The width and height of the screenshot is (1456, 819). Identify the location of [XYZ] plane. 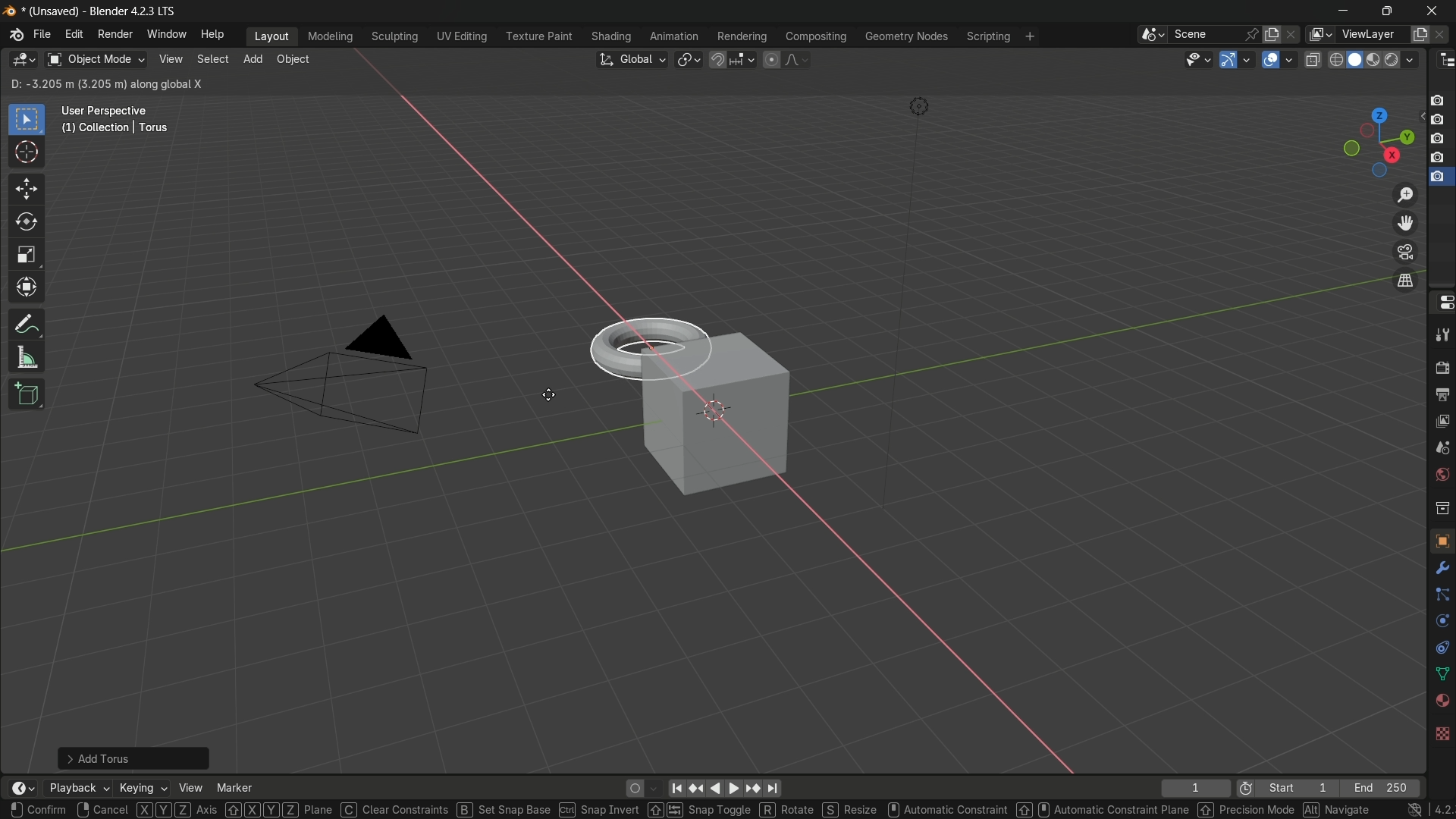
(281, 810).